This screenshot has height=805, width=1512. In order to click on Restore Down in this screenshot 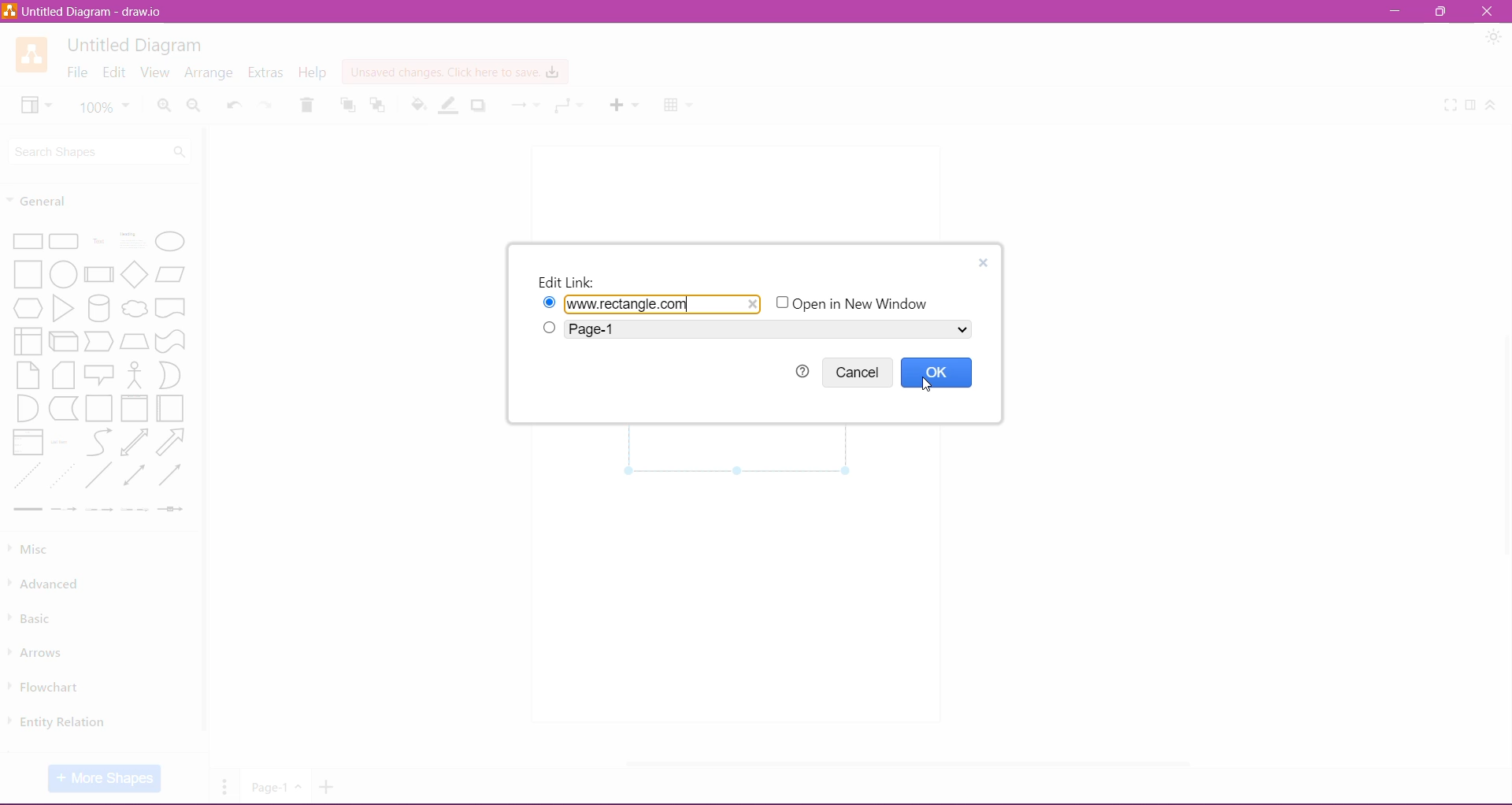, I will do `click(1442, 10)`.